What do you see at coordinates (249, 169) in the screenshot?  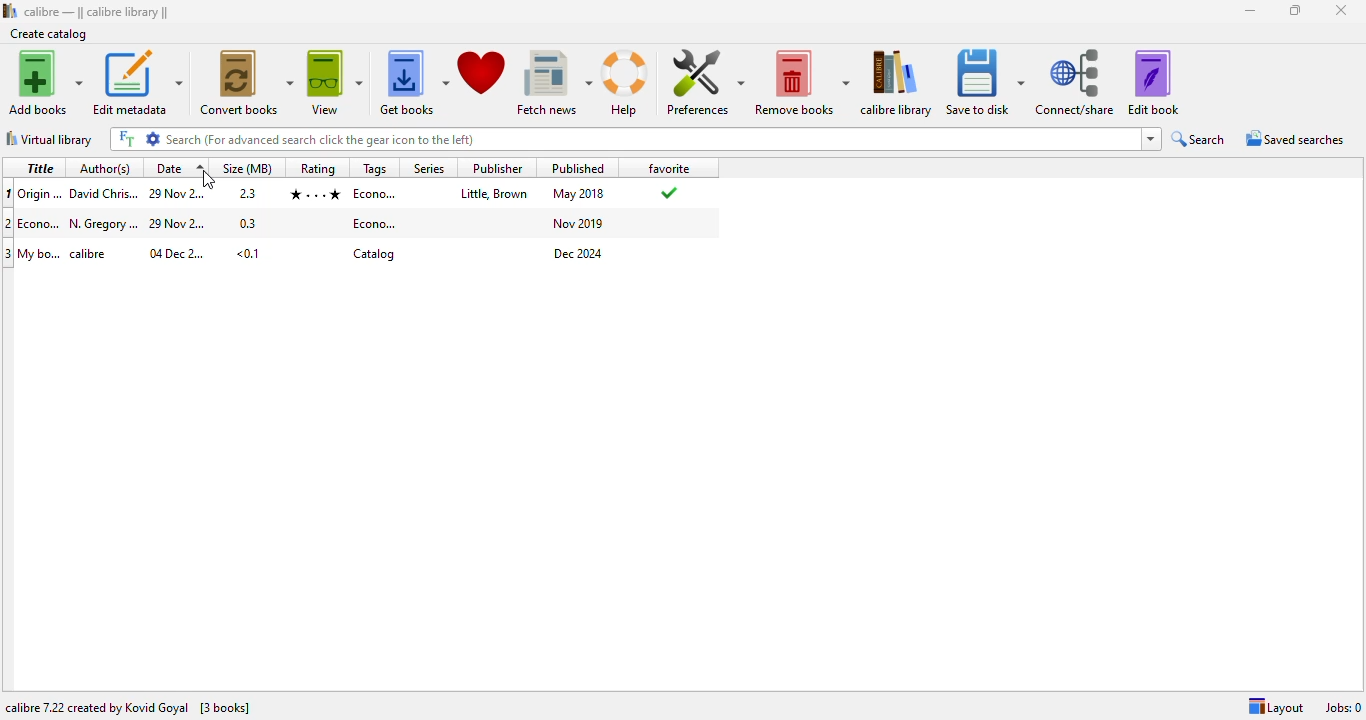 I see `size(MB)` at bounding box center [249, 169].